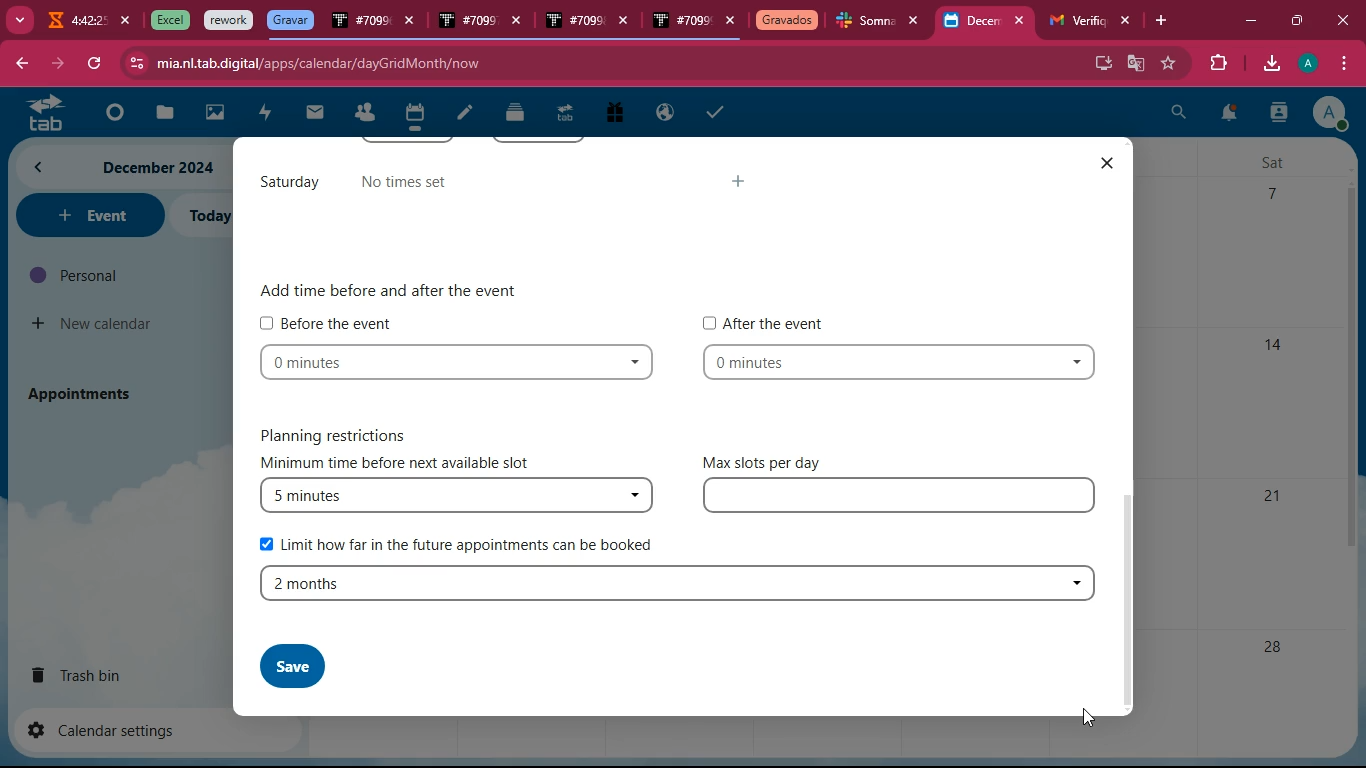 The image size is (1366, 768). Describe the element at coordinates (743, 179) in the screenshot. I see `more` at that location.